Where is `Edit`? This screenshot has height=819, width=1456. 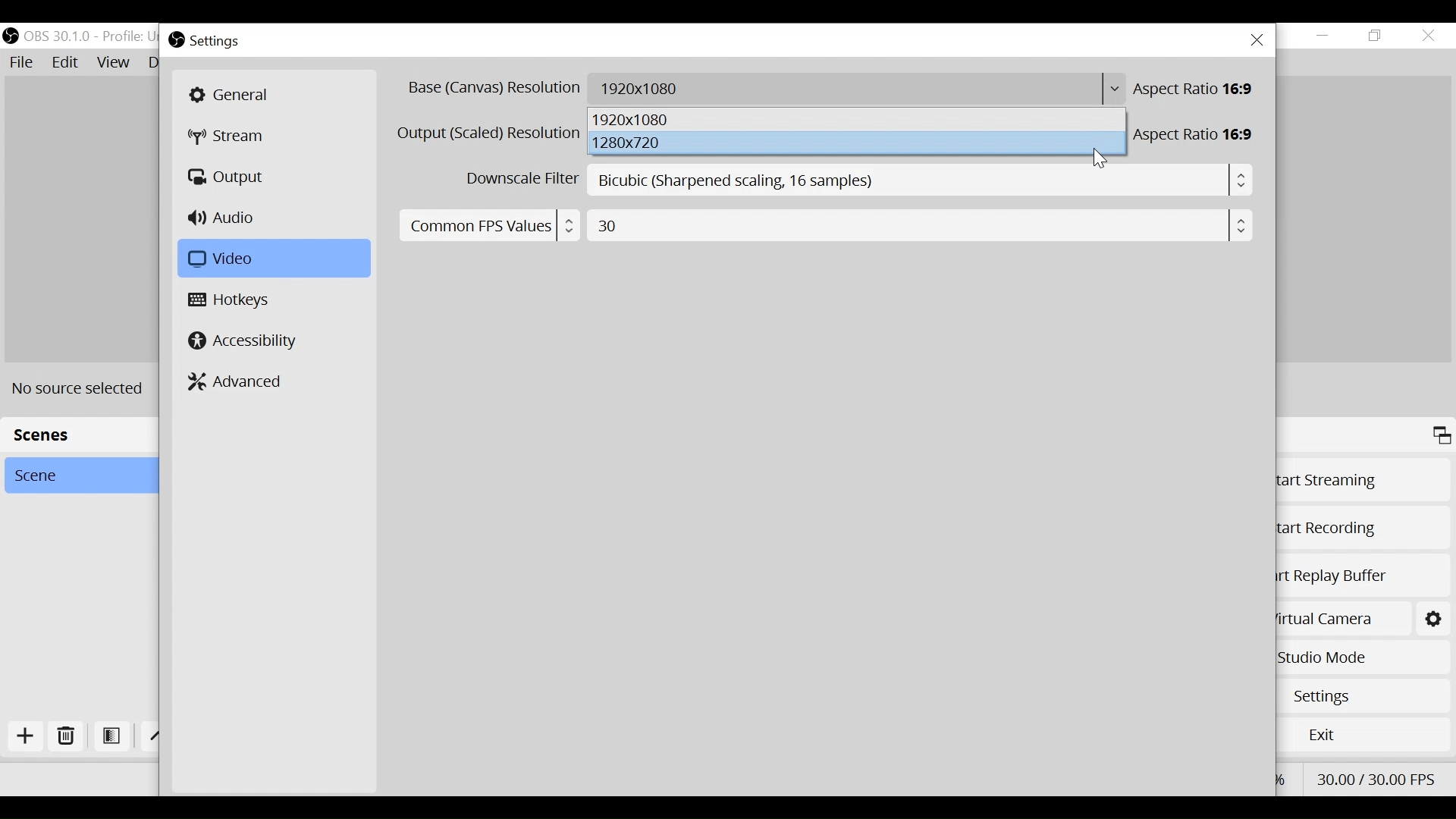
Edit is located at coordinates (66, 63).